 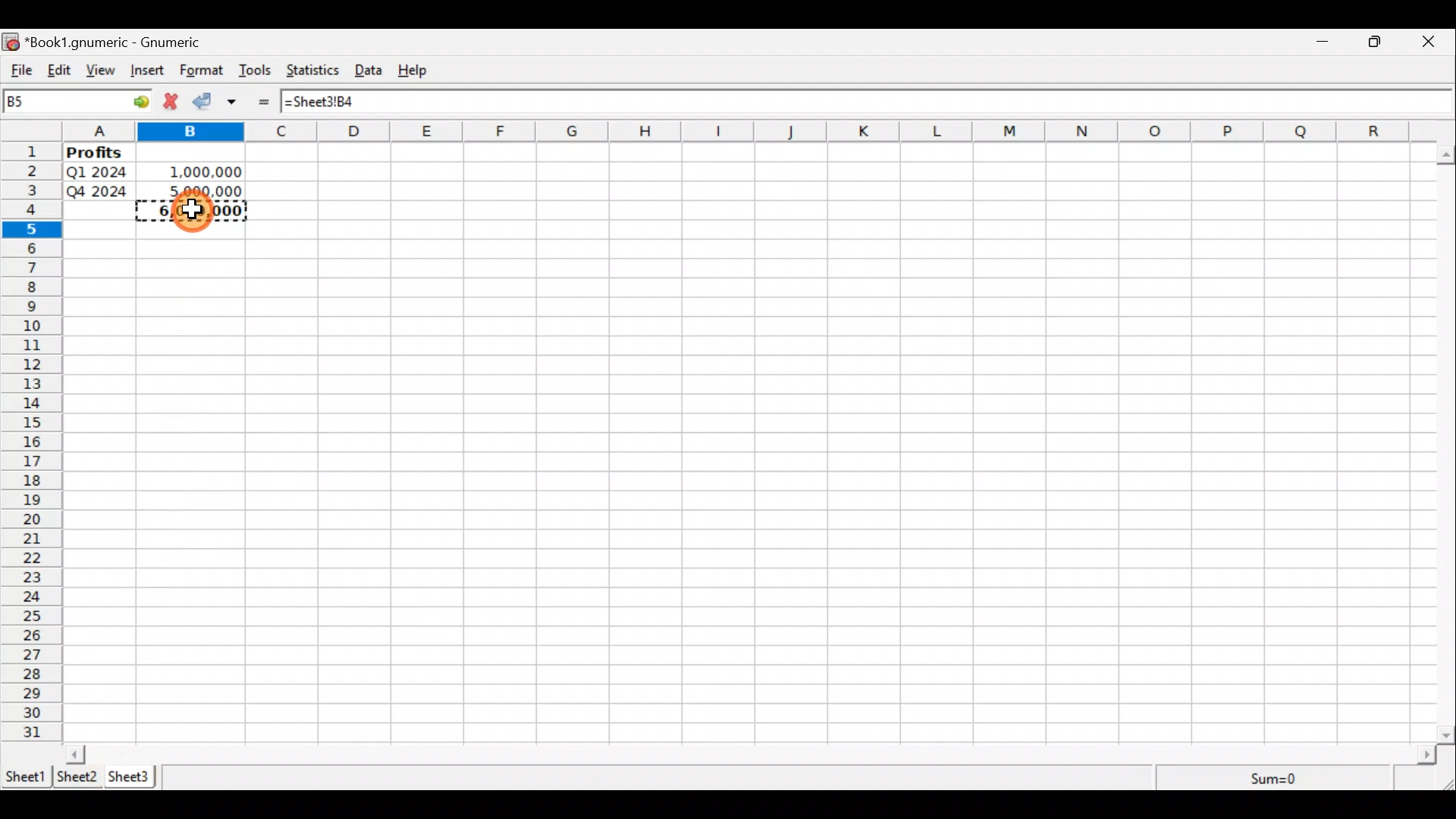 I want to click on scroll right, so click(x=1426, y=755).